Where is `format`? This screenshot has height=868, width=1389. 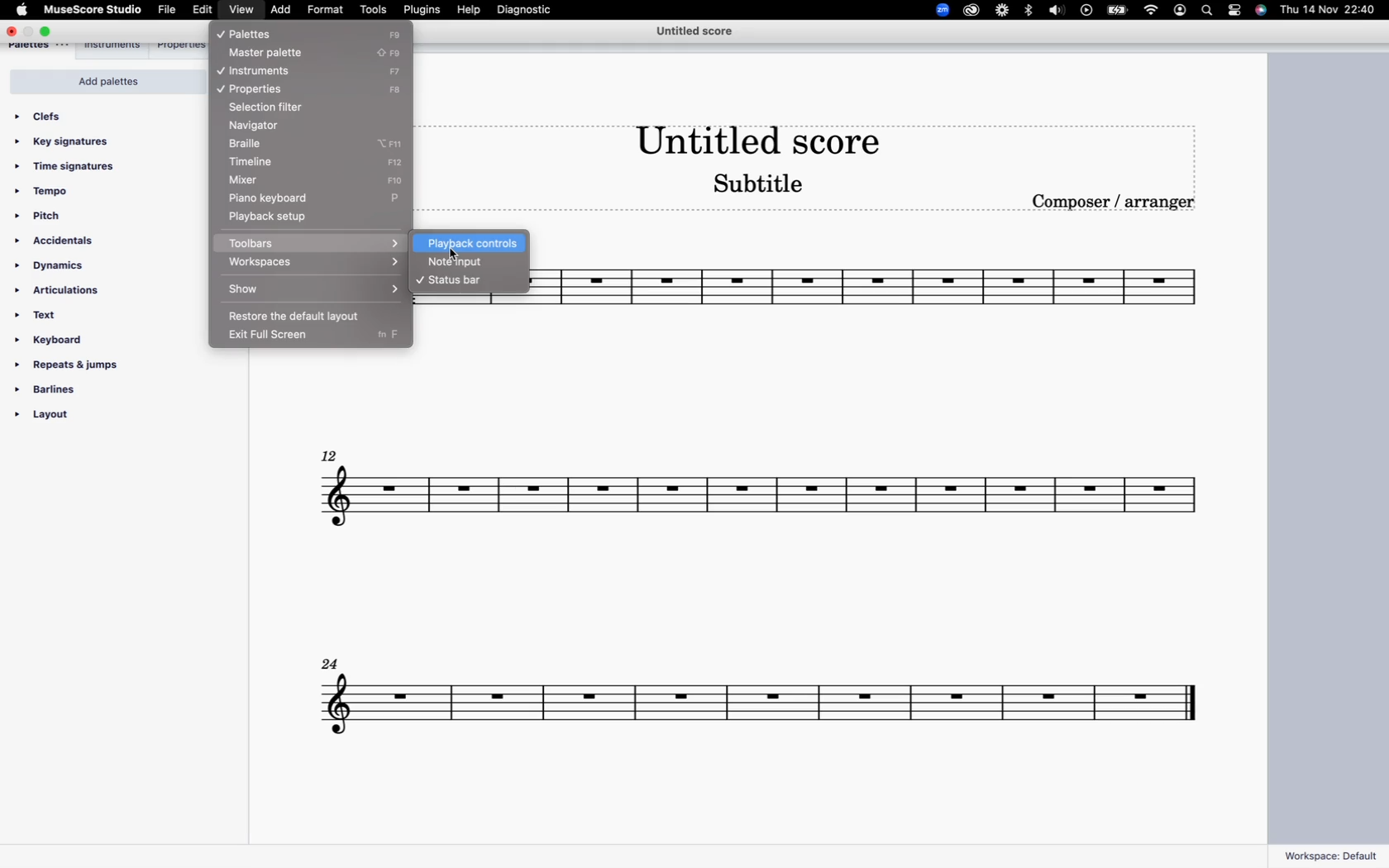 format is located at coordinates (325, 10).